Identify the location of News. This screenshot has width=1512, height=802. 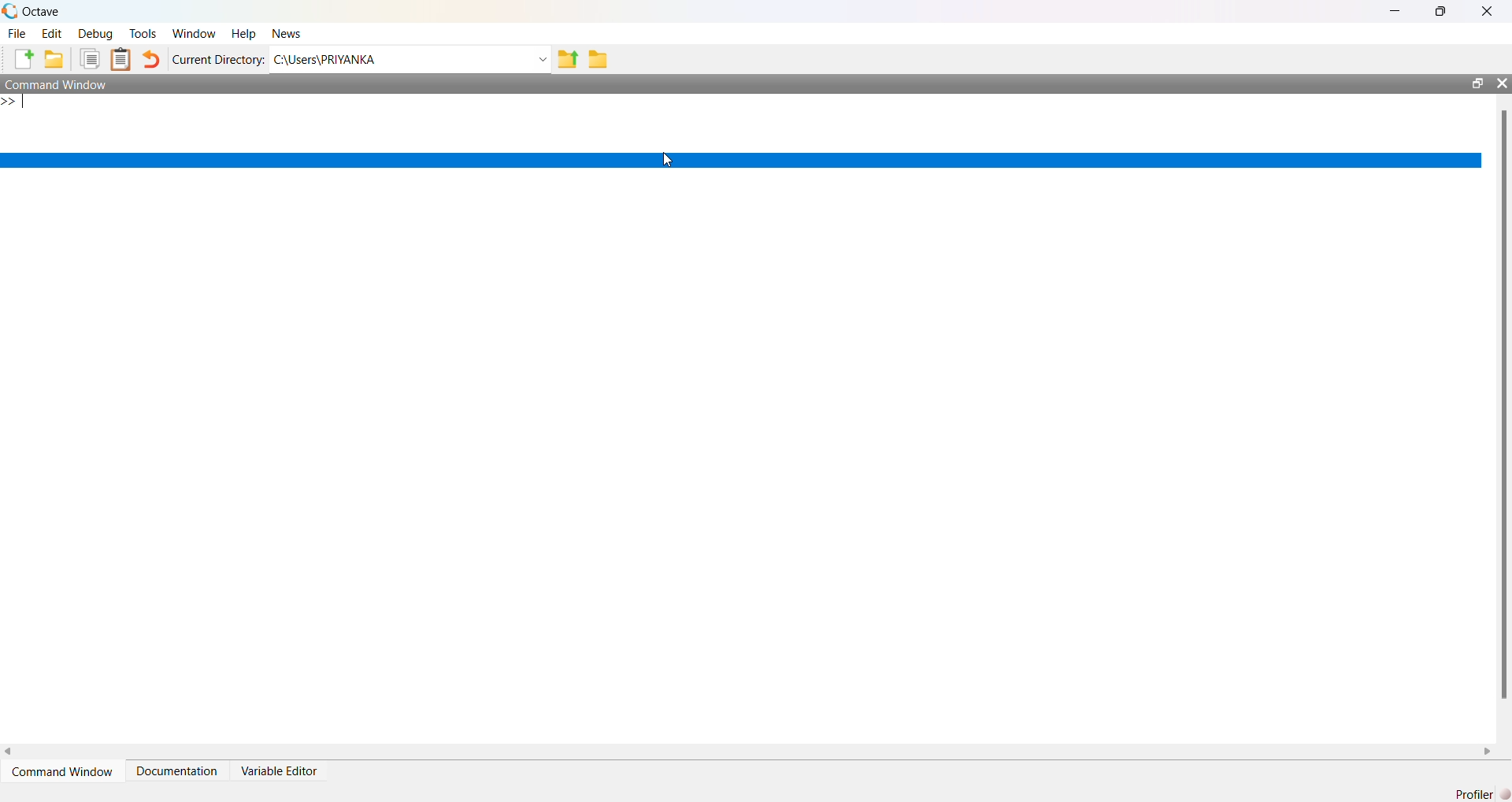
(288, 33).